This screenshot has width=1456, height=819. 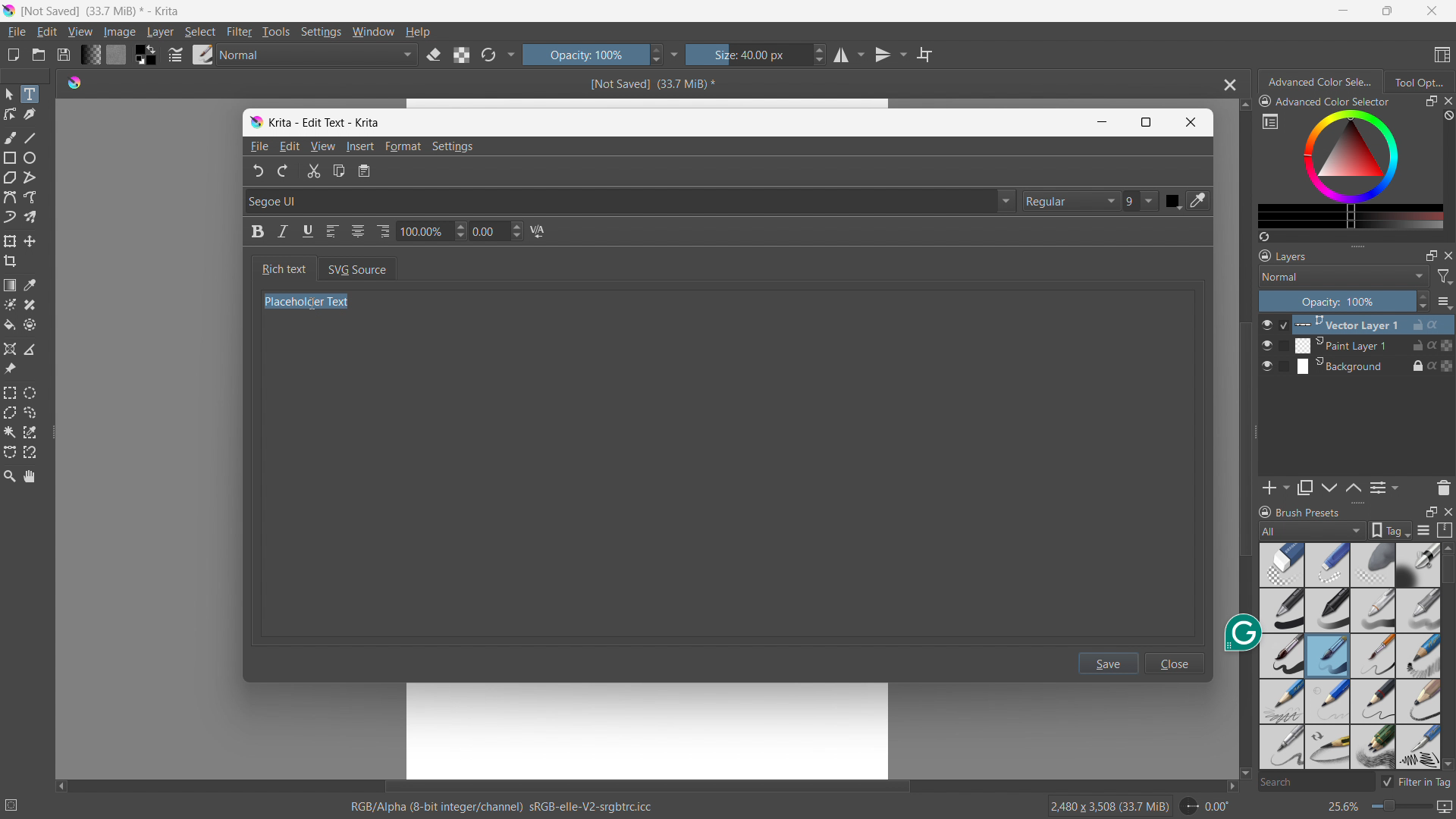 What do you see at coordinates (1447, 116) in the screenshot?
I see `clear all color history` at bounding box center [1447, 116].